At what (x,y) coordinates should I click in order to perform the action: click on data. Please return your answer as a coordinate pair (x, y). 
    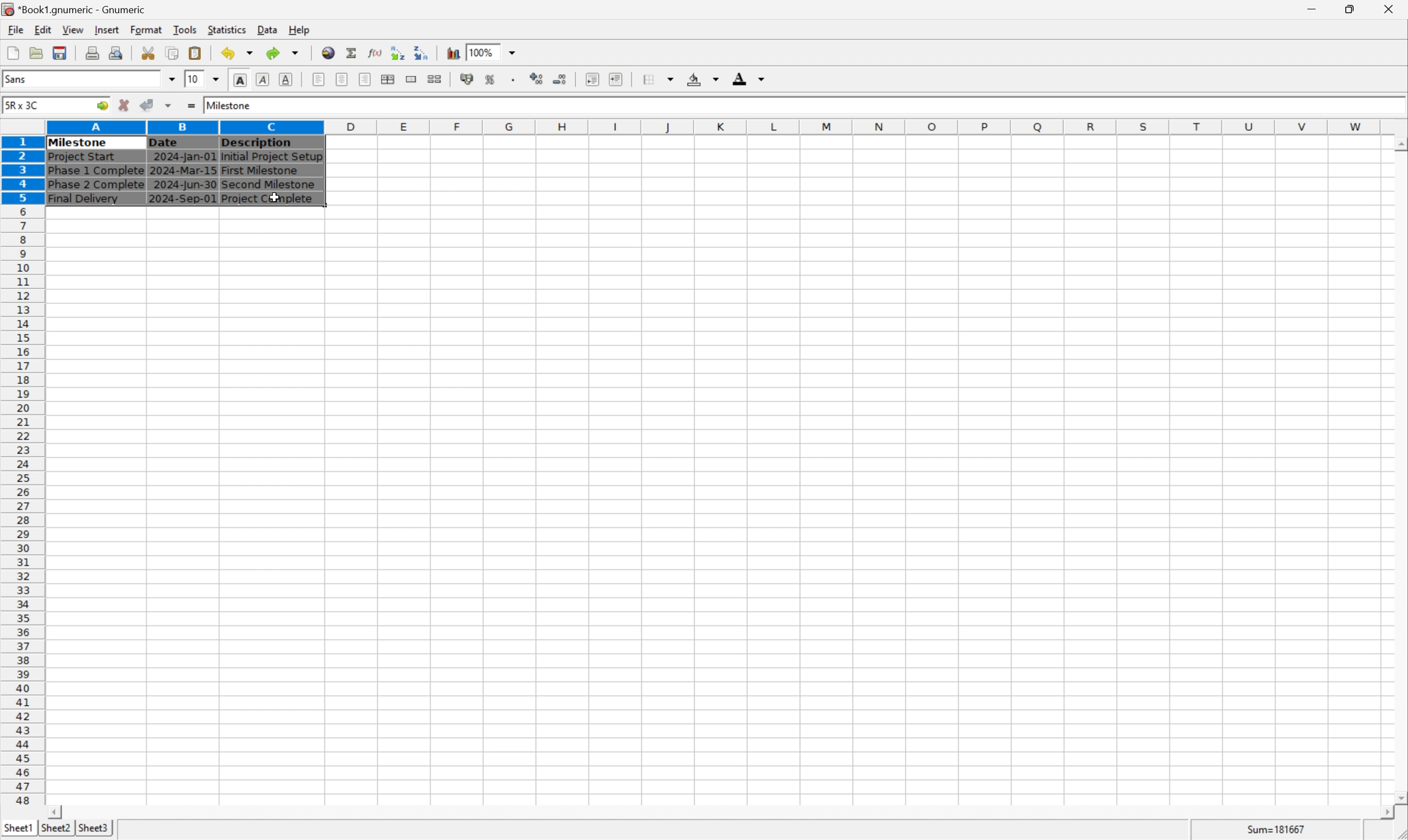
    Looking at the image, I should click on (267, 27).